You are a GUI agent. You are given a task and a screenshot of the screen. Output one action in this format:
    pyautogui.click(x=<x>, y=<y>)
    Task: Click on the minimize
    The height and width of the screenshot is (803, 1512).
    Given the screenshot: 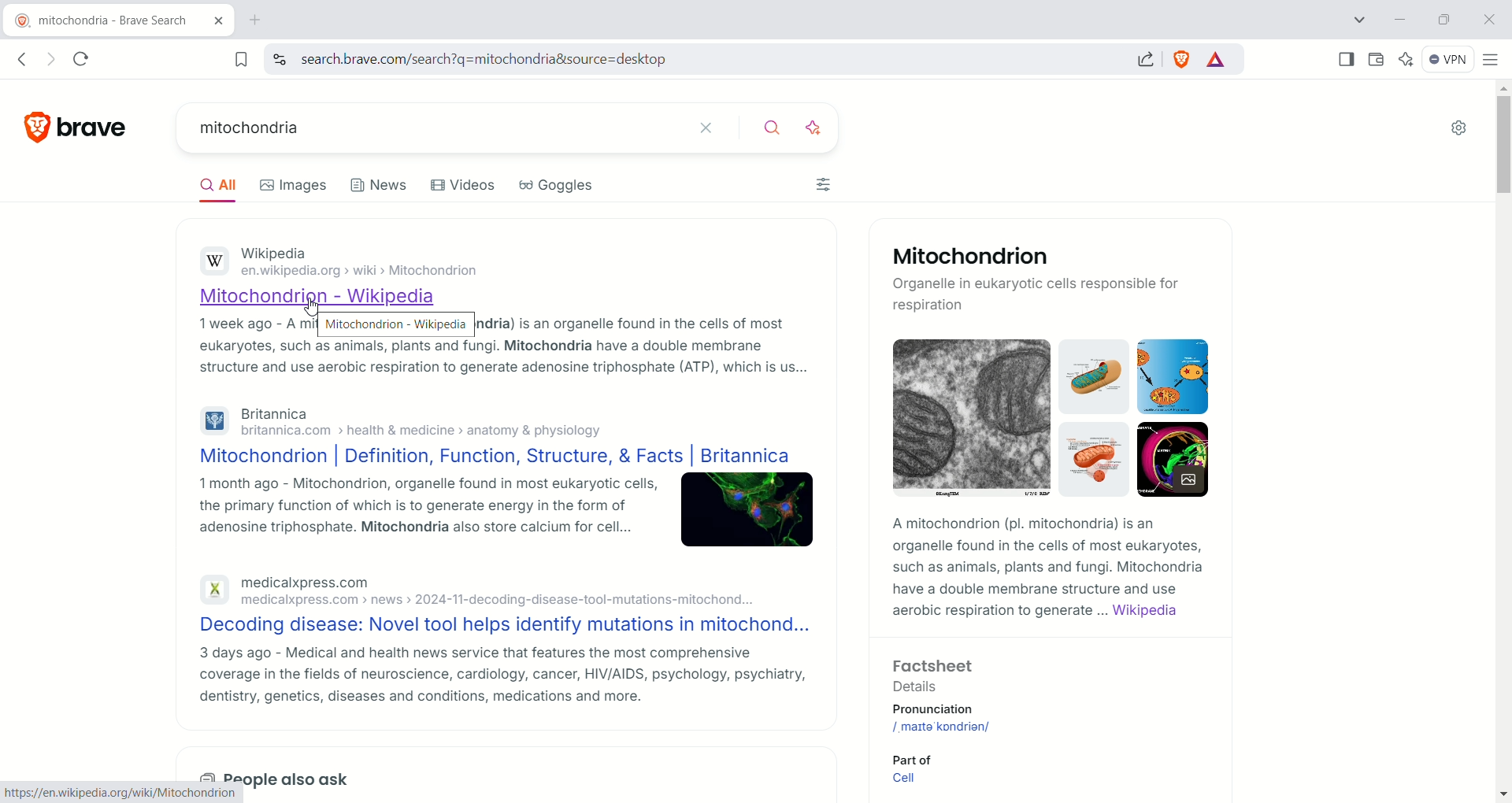 What is the action you would take?
    pyautogui.click(x=1404, y=22)
    